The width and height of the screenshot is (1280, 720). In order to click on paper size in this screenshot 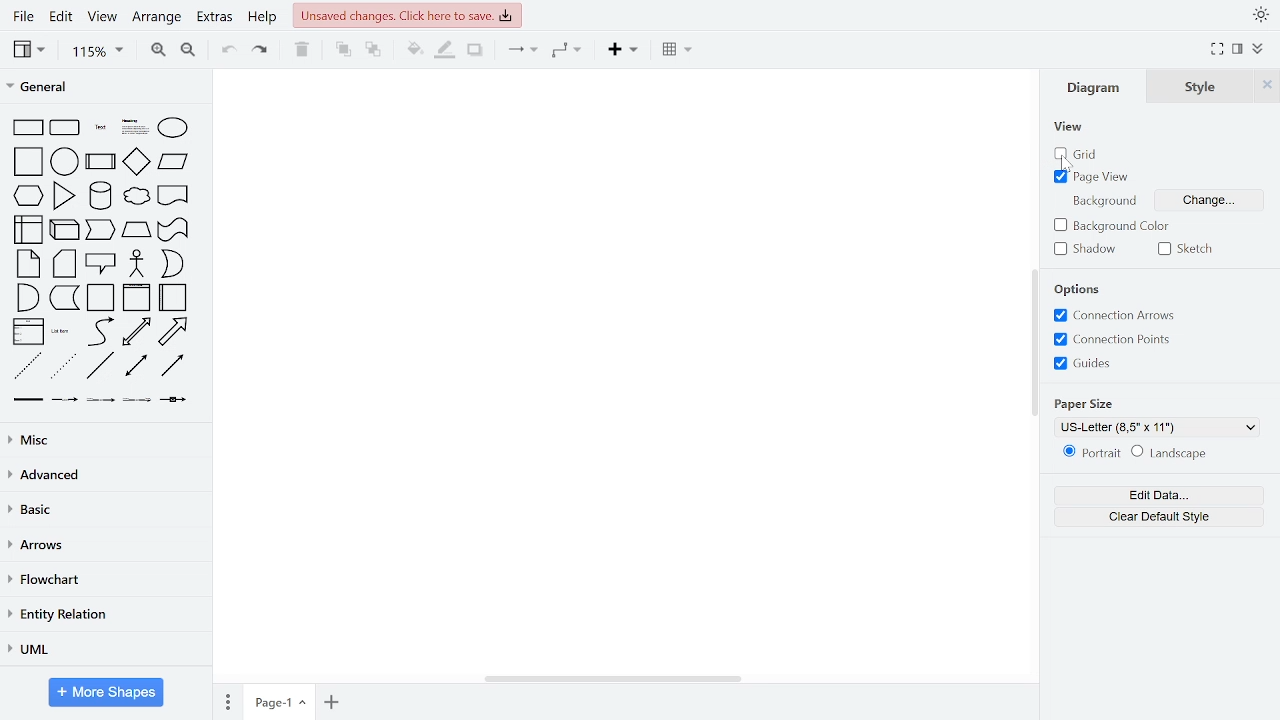, I will do `click(1087, 401)`.